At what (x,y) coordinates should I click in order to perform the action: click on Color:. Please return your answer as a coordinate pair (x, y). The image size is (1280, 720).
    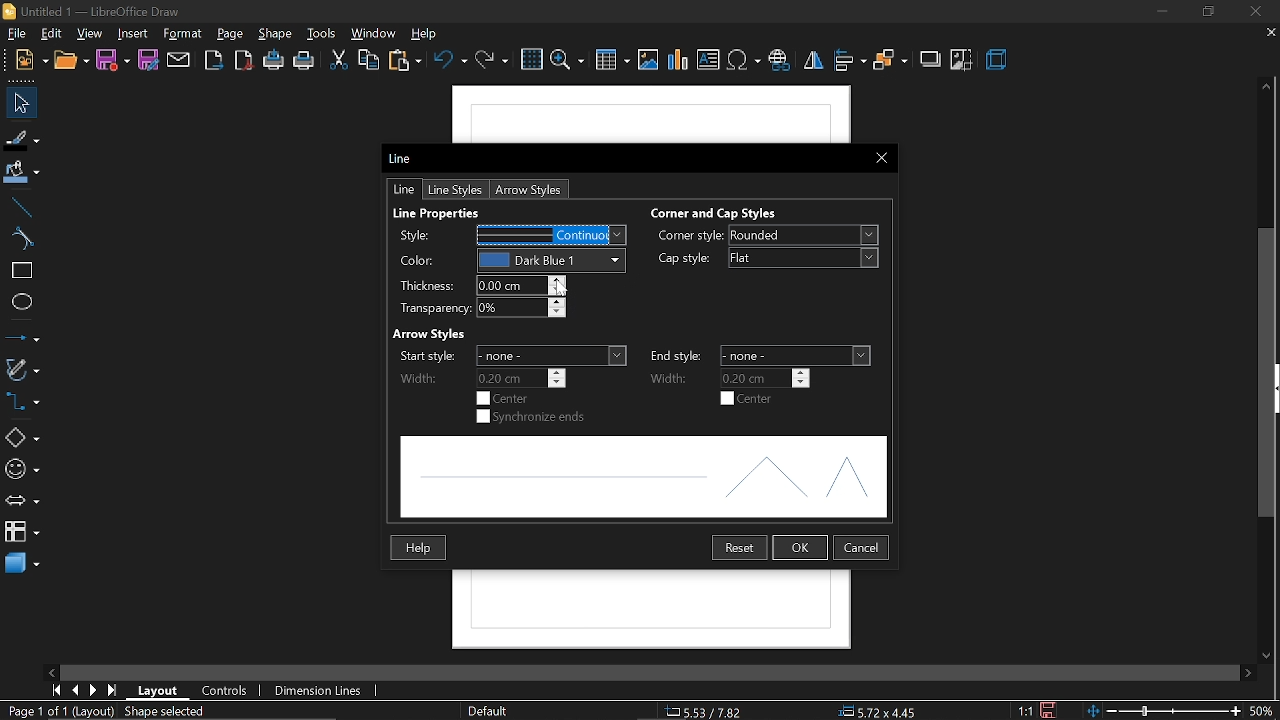
    Looking at the image, I should click on (420, 262).